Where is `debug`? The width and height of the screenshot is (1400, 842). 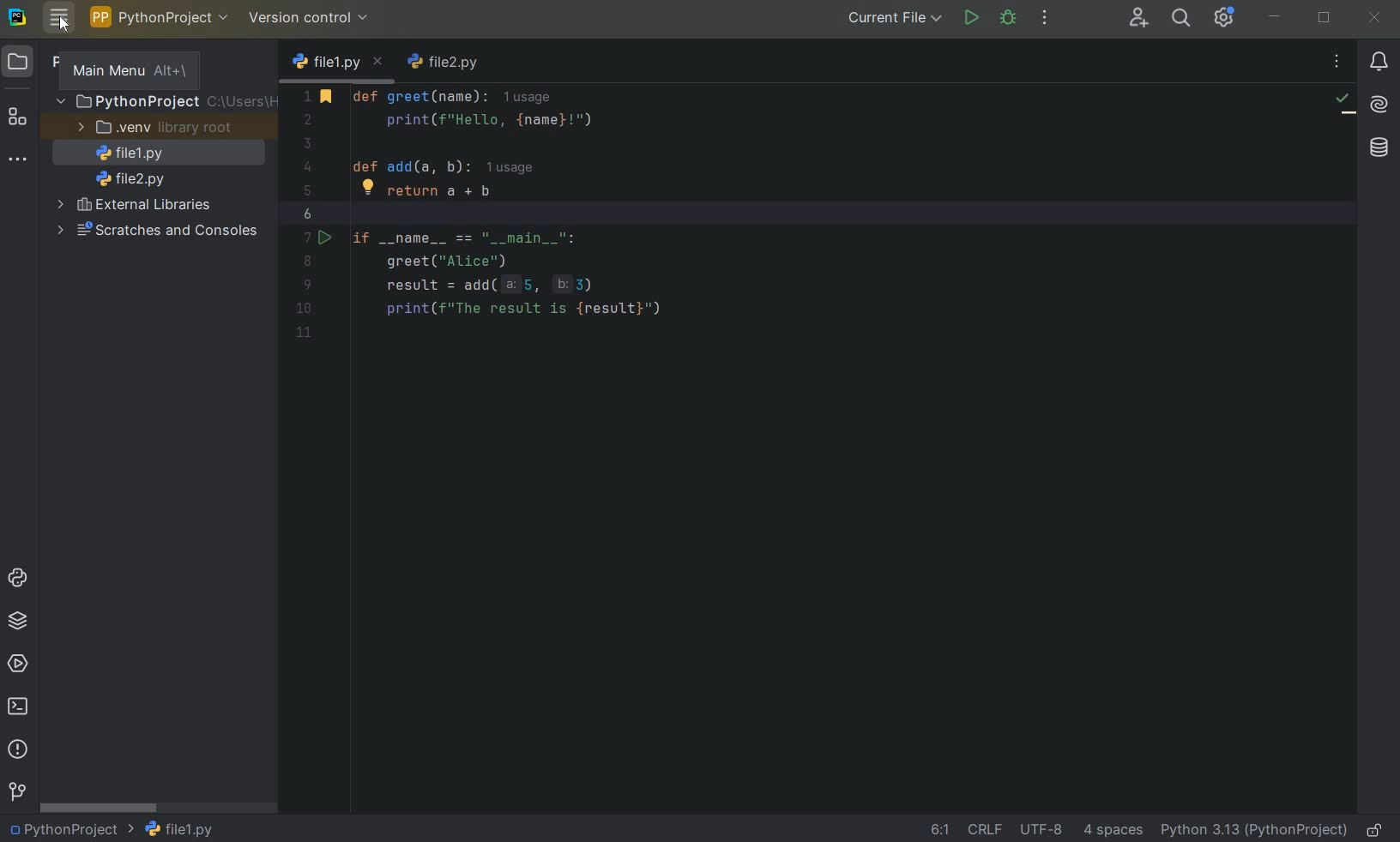 debug is located at coordinates (1009, 19).